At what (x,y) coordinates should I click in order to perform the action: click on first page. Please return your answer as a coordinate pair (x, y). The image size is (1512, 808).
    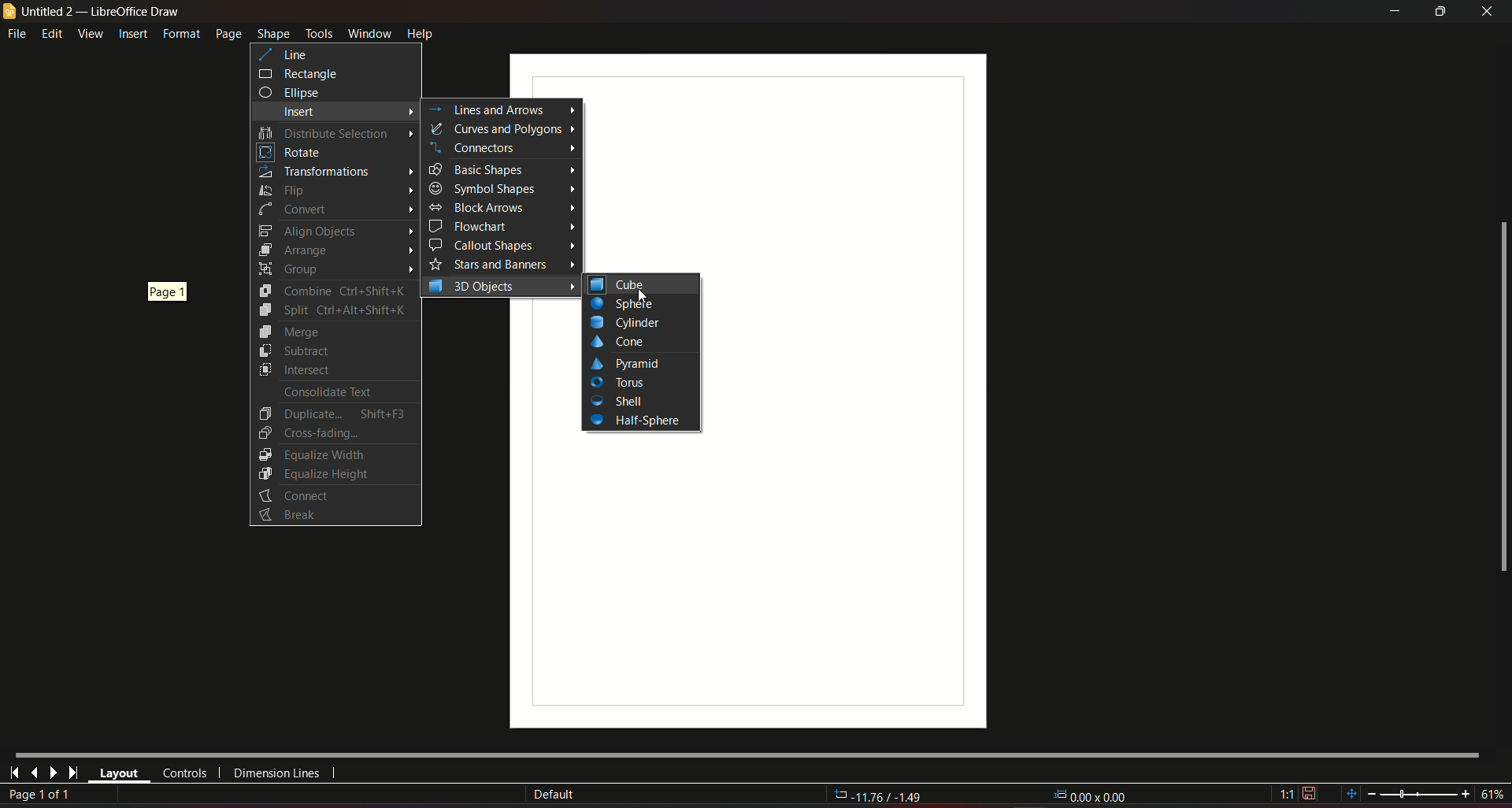
    Looking at the image, I should click on (15, 771).